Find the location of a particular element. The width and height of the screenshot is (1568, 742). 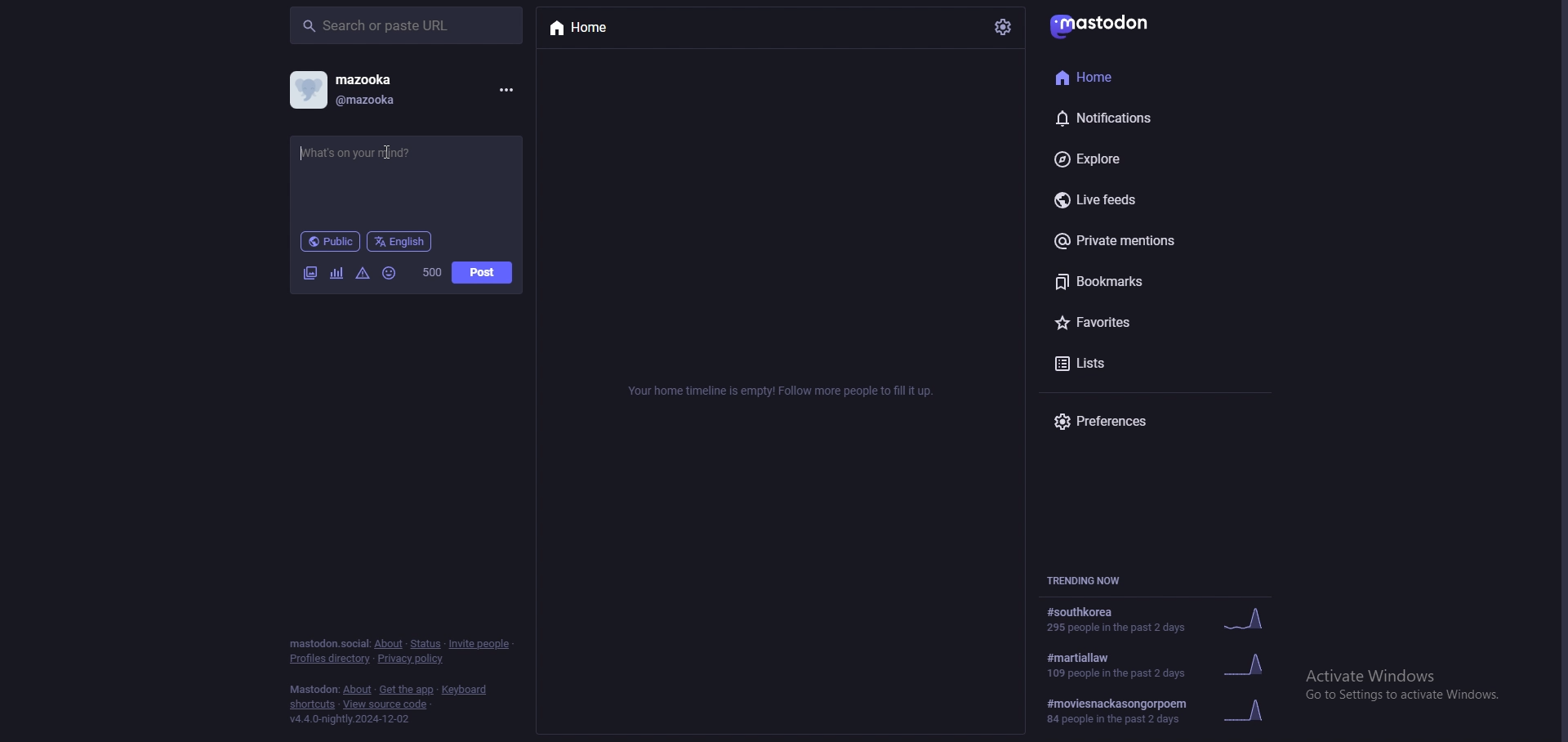

about is located at coordinates (357, 690).